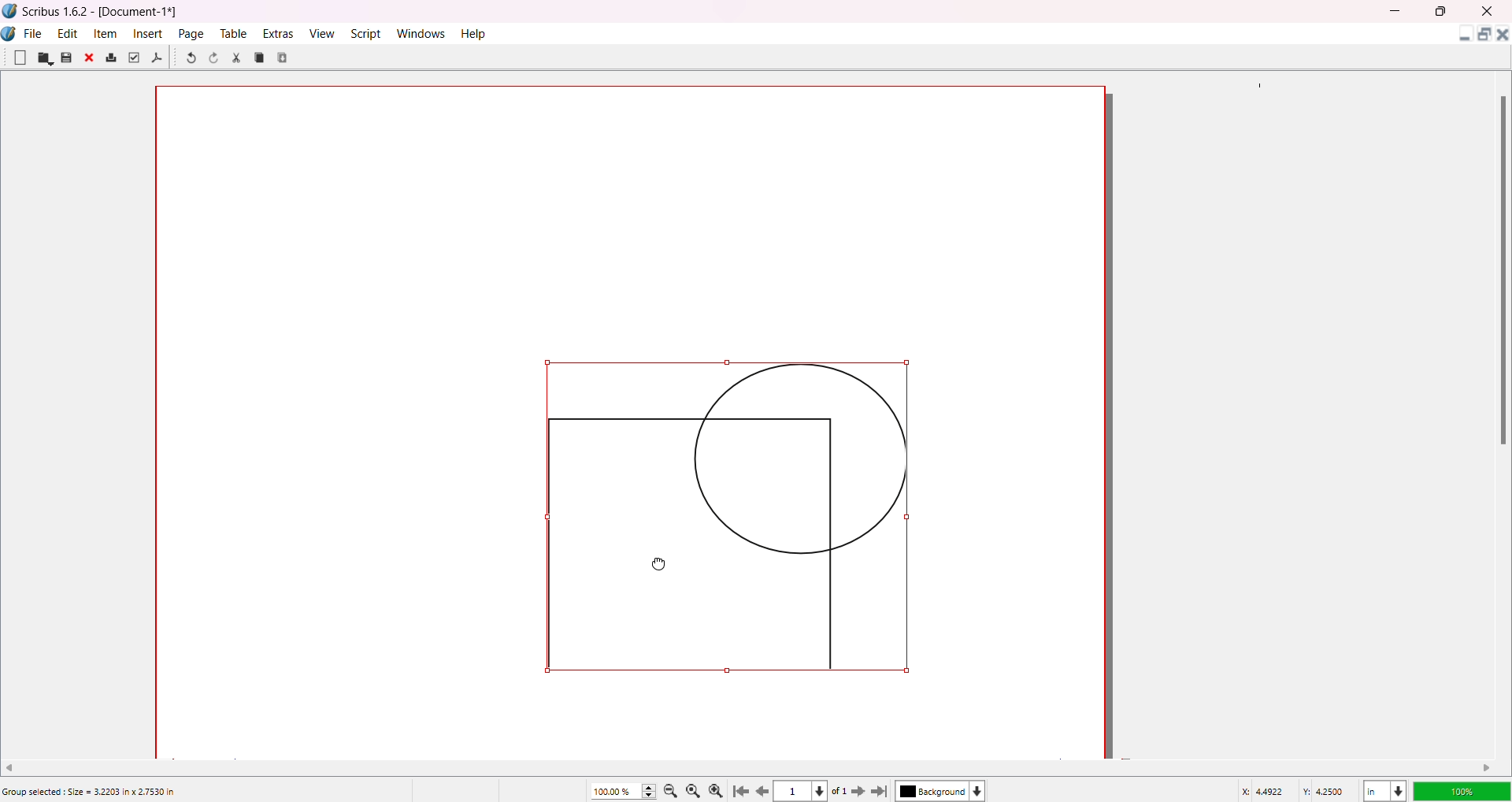 The width and height of the screenshot is (1512, 802). Describe the element at coordinates (68, 32) in the screenshot. I see `Edit` at that location.